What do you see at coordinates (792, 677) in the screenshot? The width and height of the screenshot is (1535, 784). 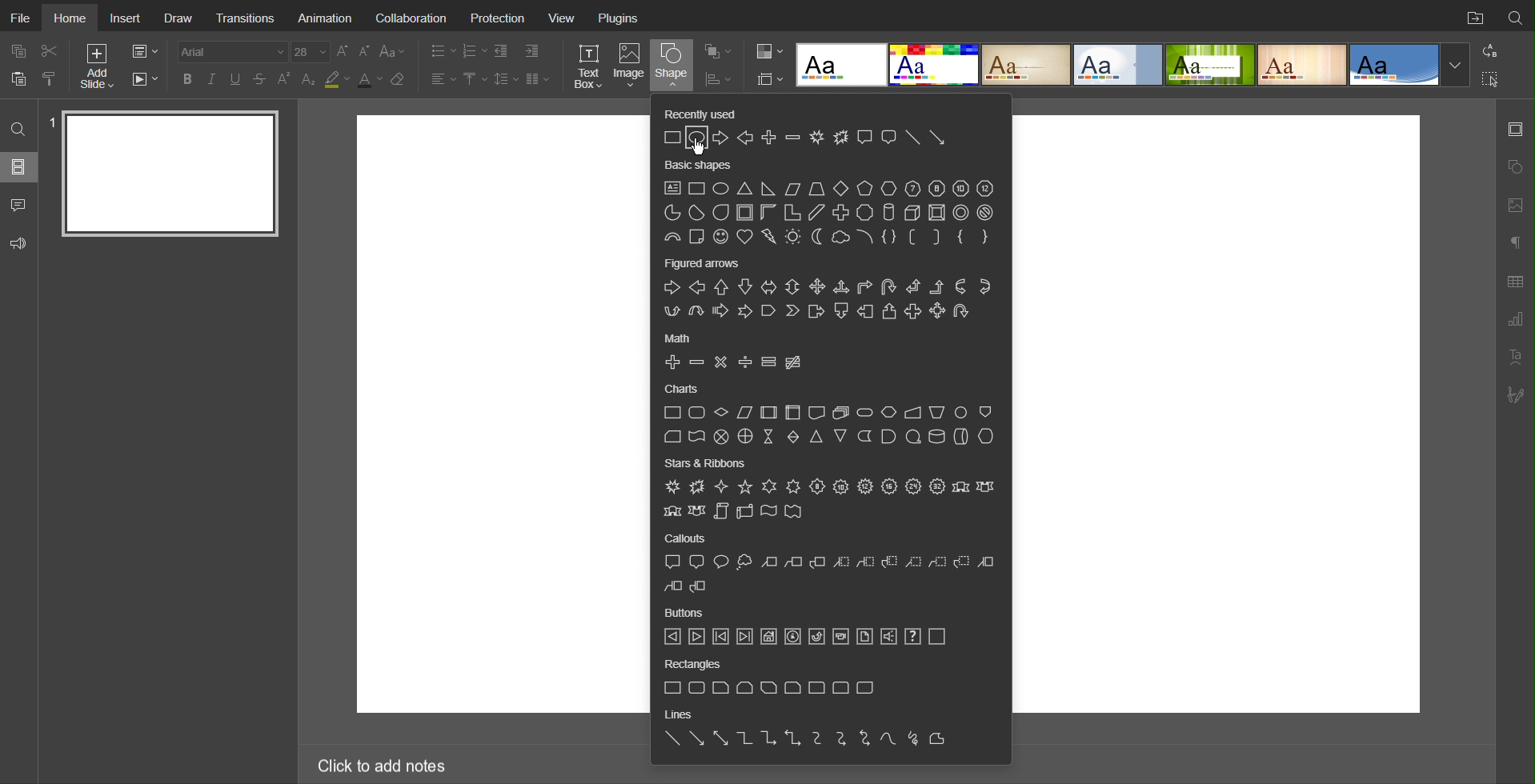 I see `Rectangles` at bounding box center [792, 677].